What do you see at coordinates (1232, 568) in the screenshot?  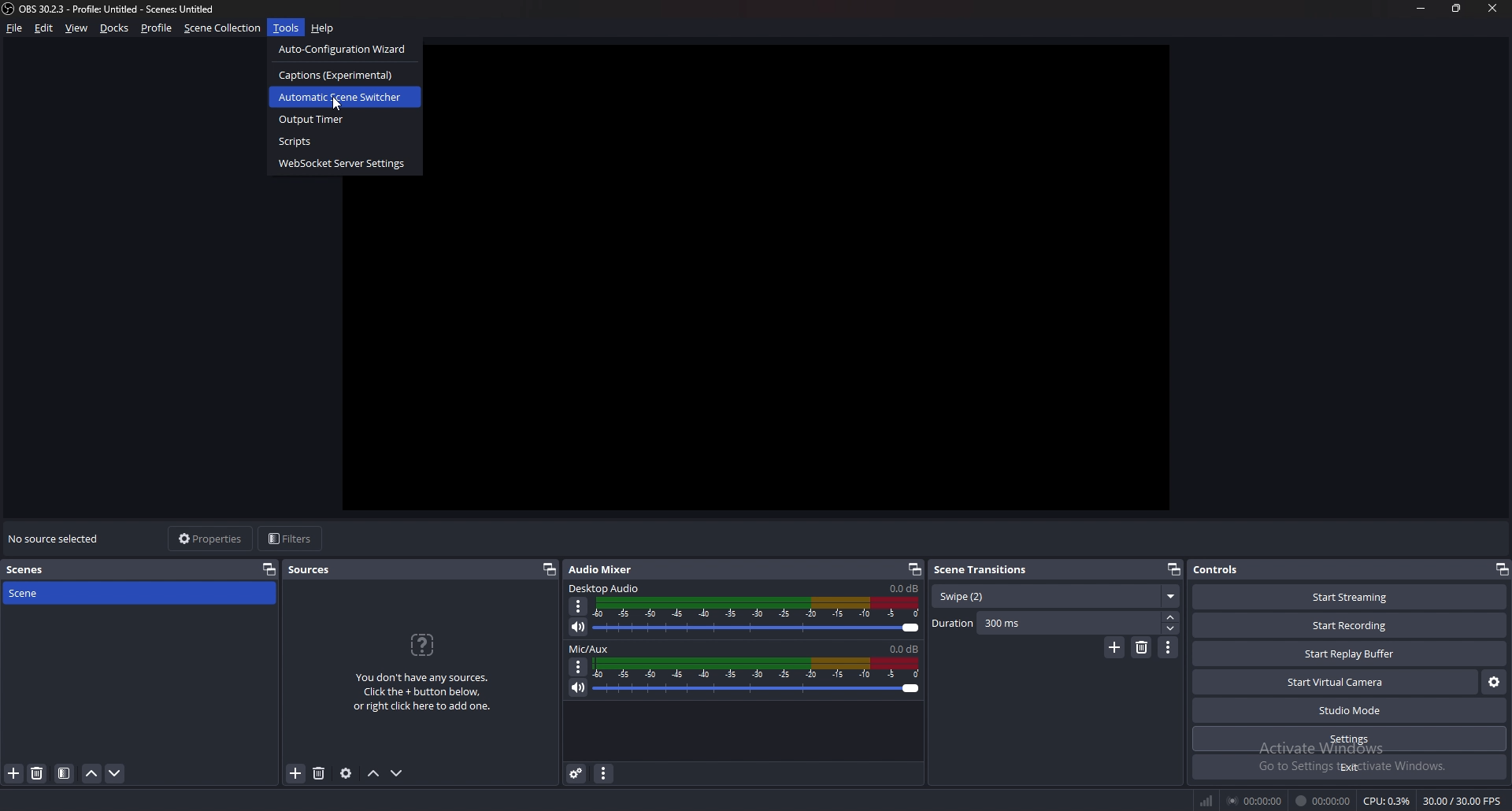 I see `controls` at bounding box center [1232, 568].